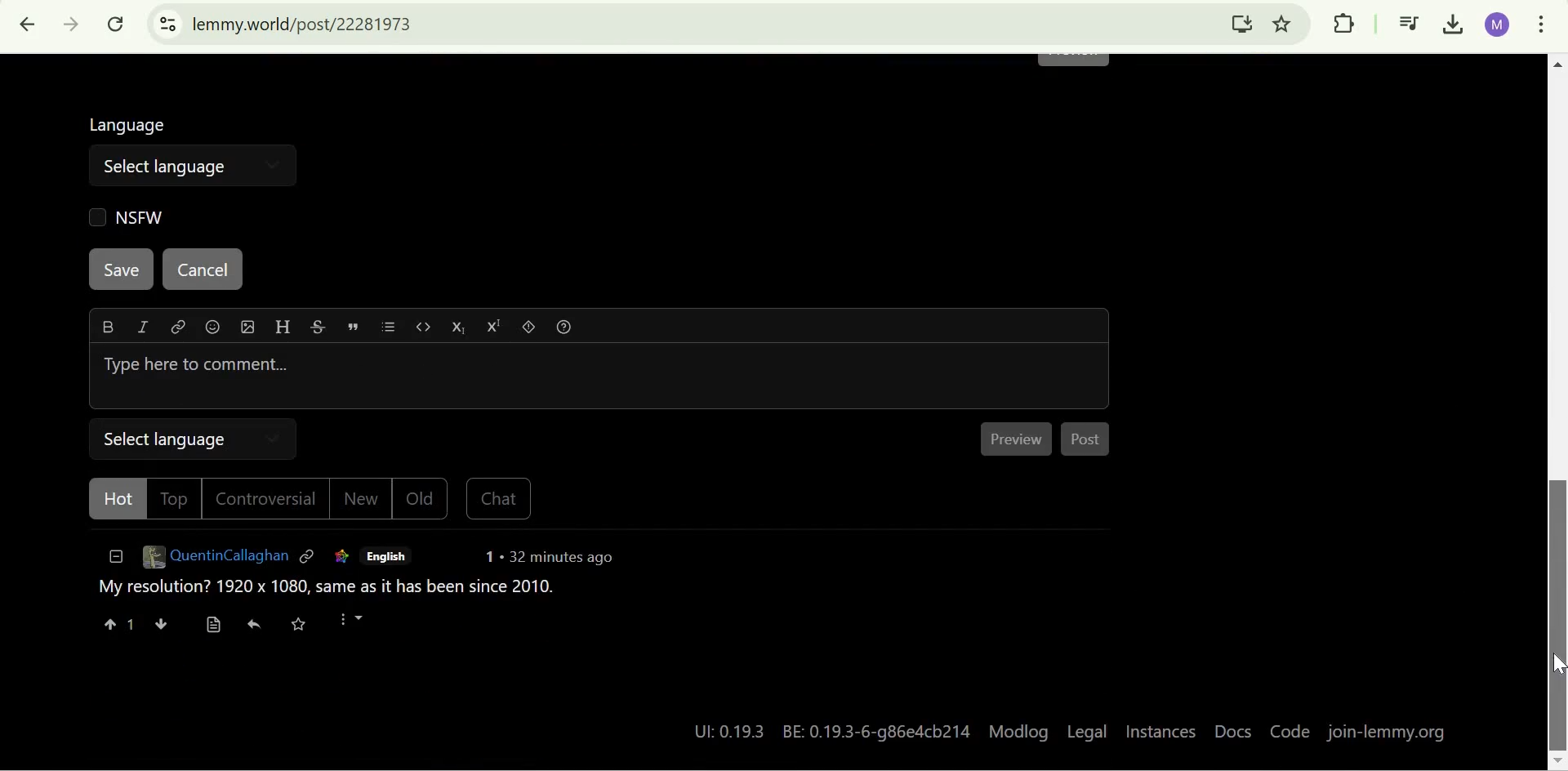 Image resolution: width=1568 pixels, height=771 pixels. Describe the element at coordinates (214, 560) in the screenshot. I see `QuentinCallaghan` at that location.